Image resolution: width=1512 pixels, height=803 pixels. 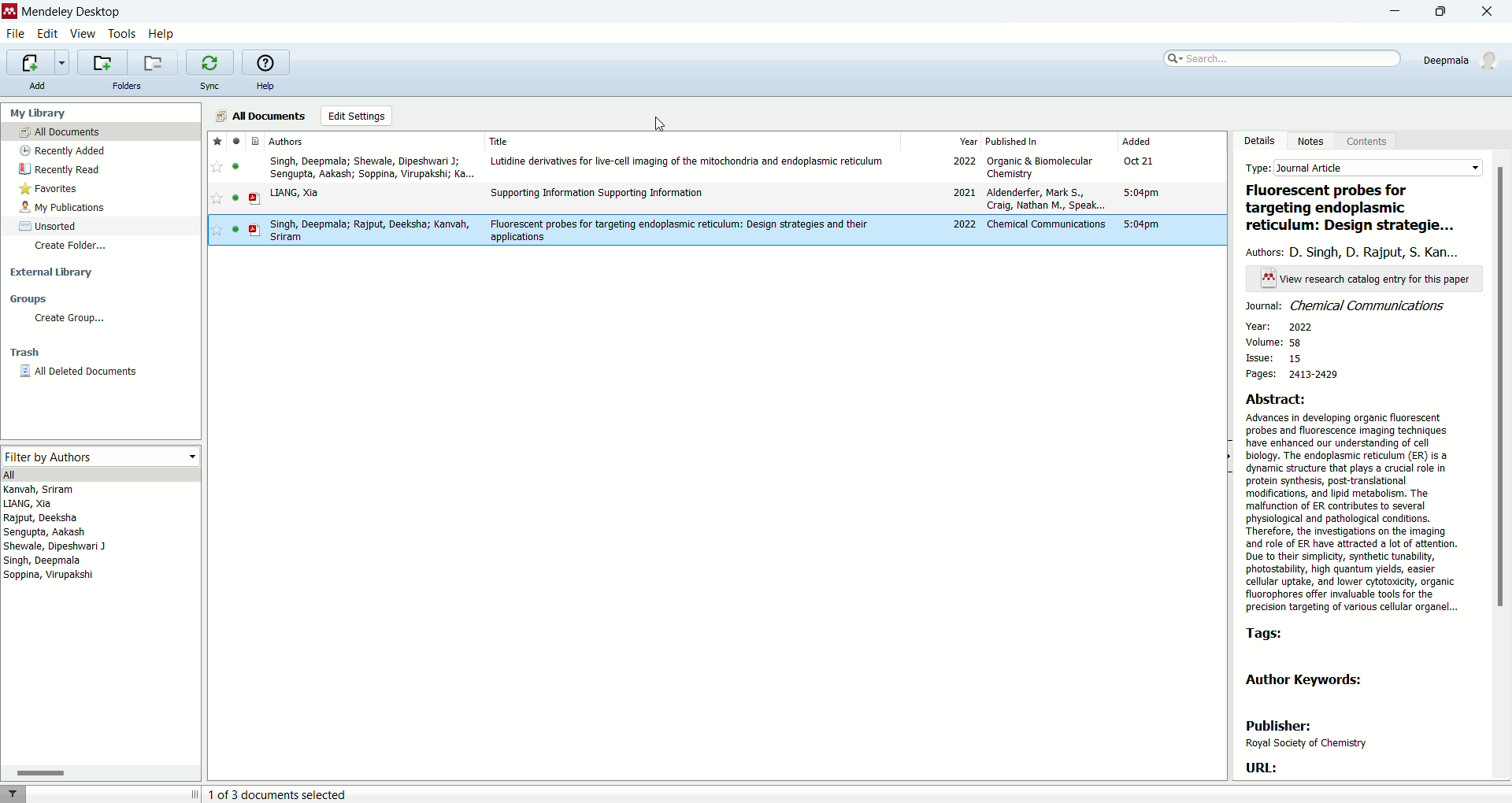 I want to click on authors, so click(x=63, y=536).